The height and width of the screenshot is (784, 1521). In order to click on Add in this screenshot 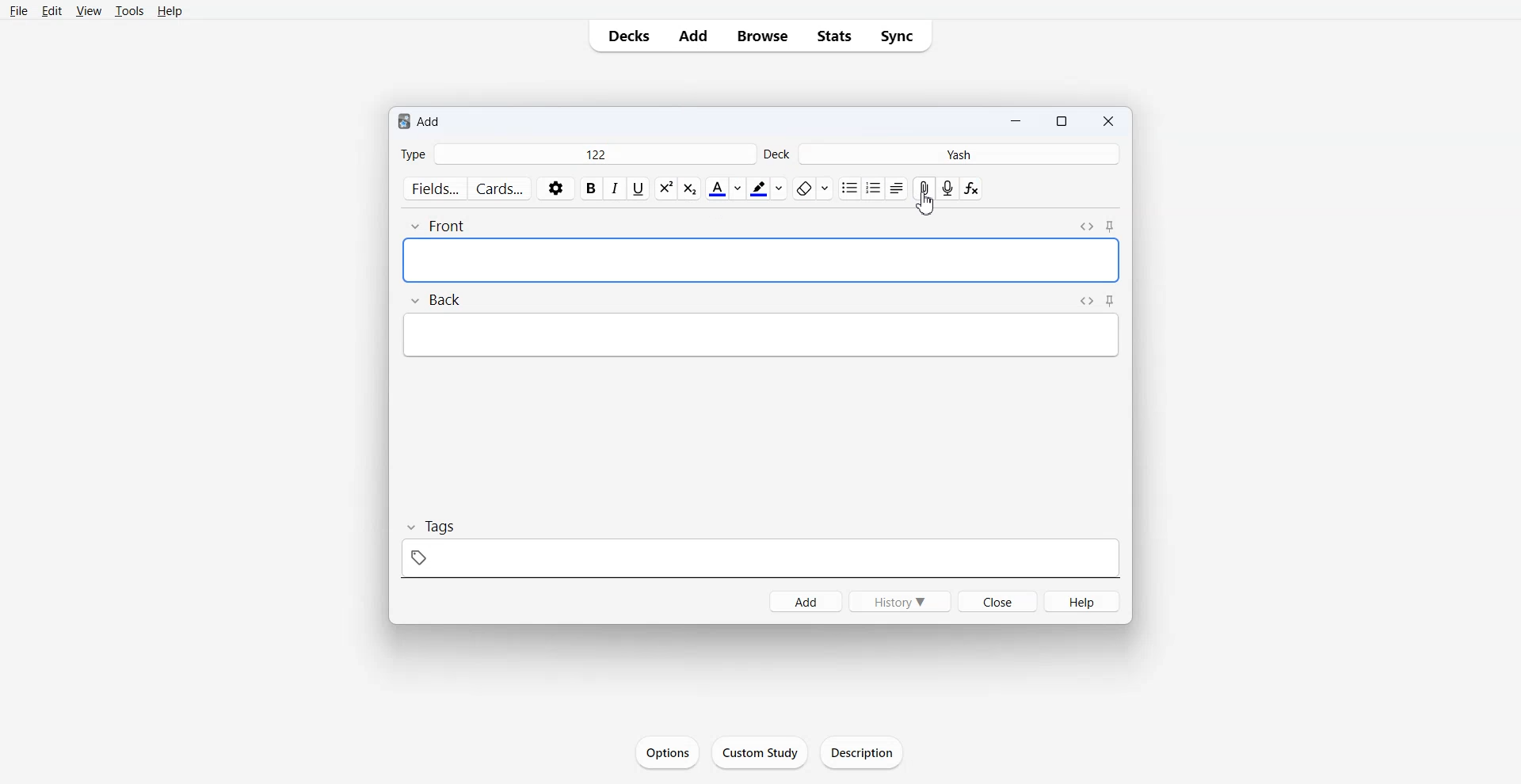, I will do `click(804, 600)`.